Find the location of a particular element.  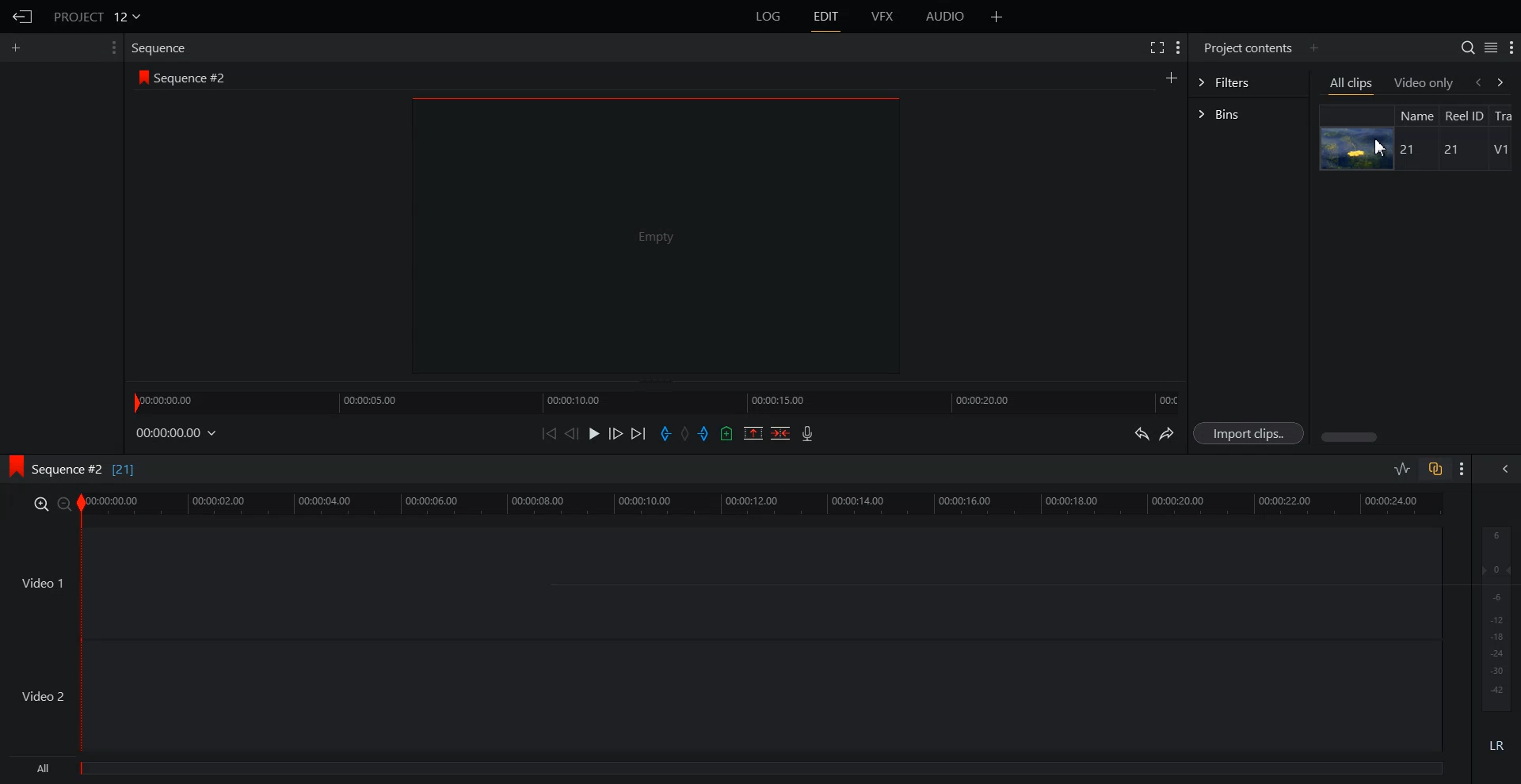

21 is located at coordinates (1410, 150).